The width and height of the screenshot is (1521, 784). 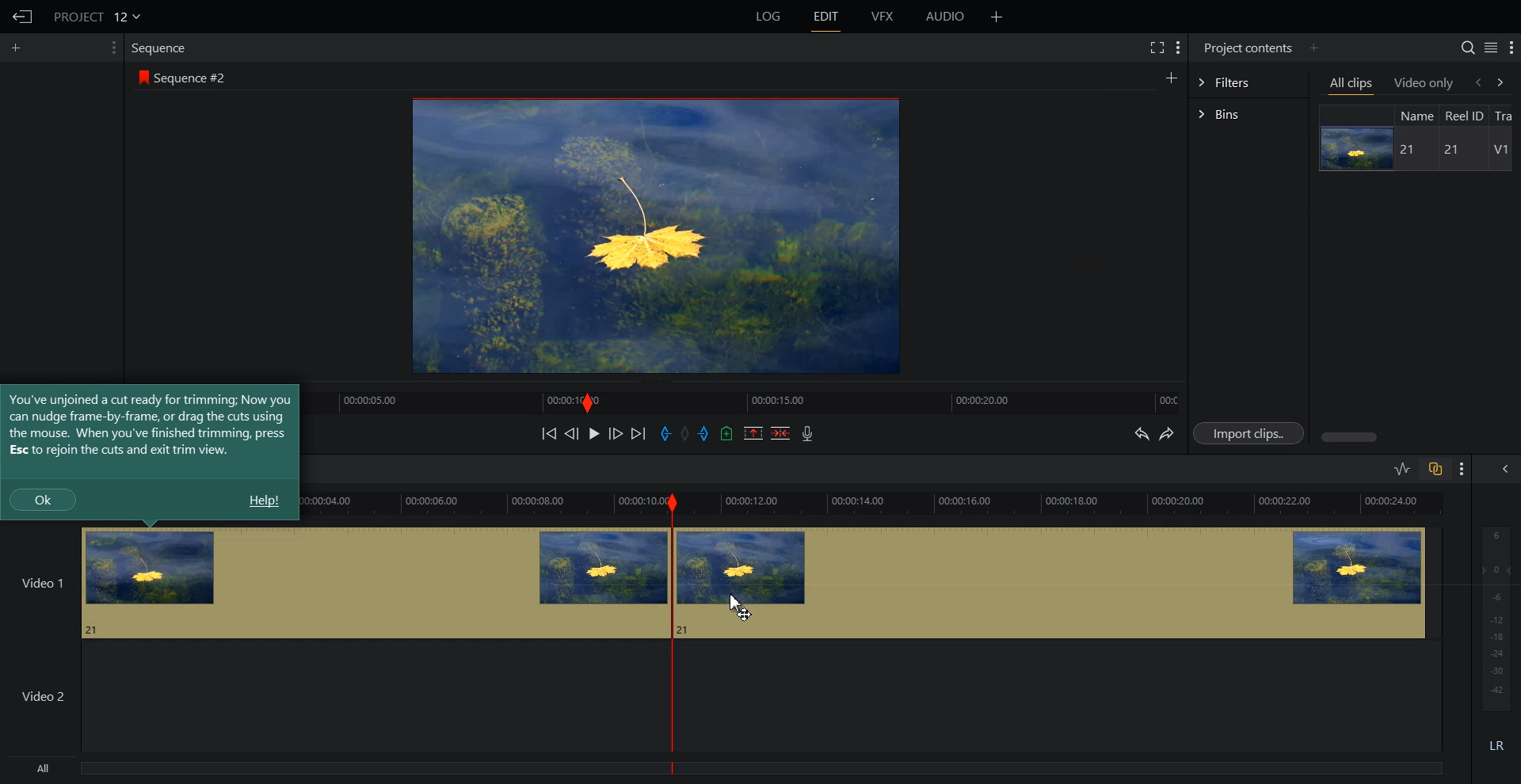 I want to click on Move Backward, so click(x=548, y=433).